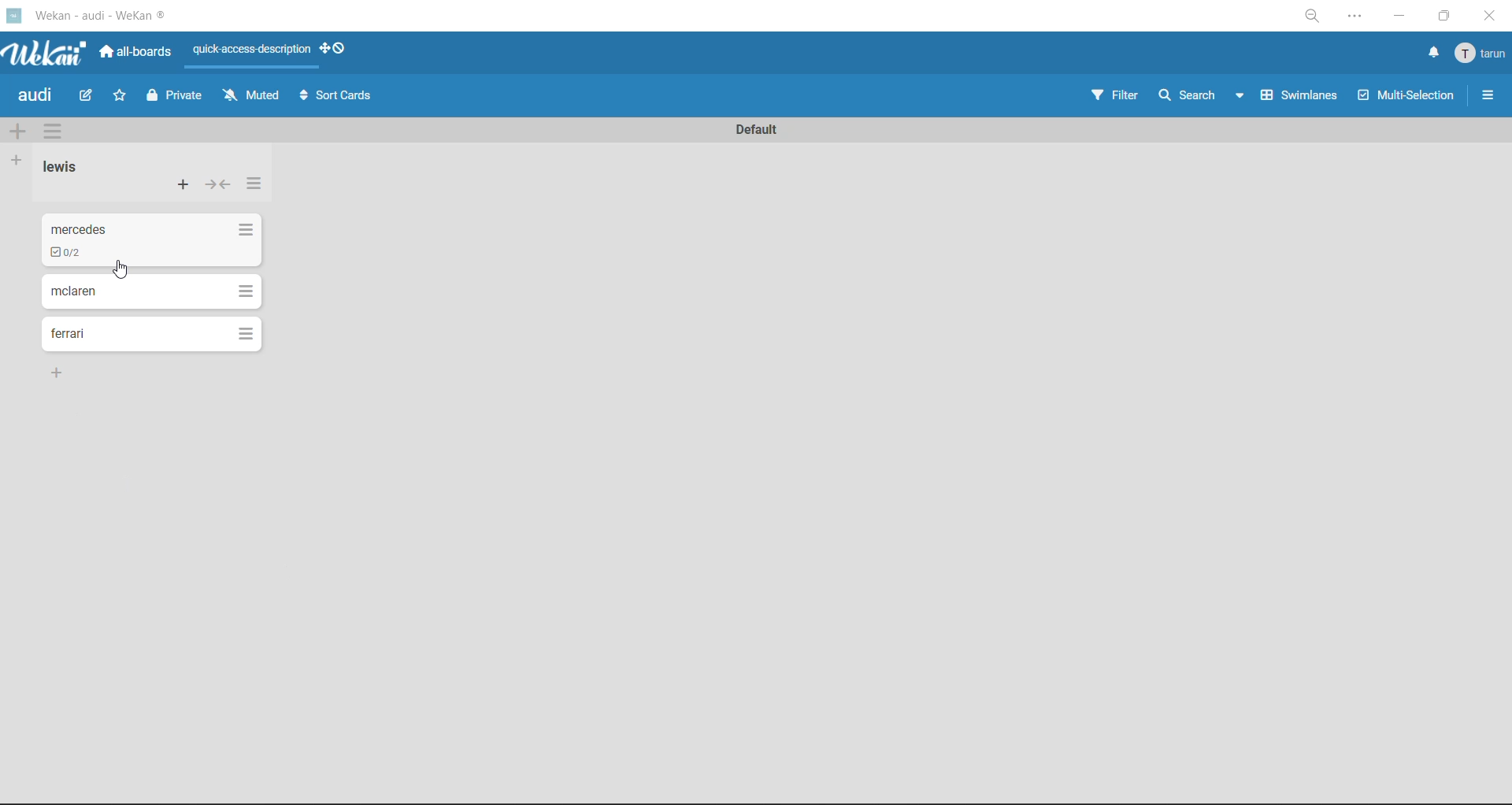 This screenshot has width=1512, height=805. What do you see at coordinates (246, 333) in the screenshot?
I see `list actions` at bounding box center [246, 333].